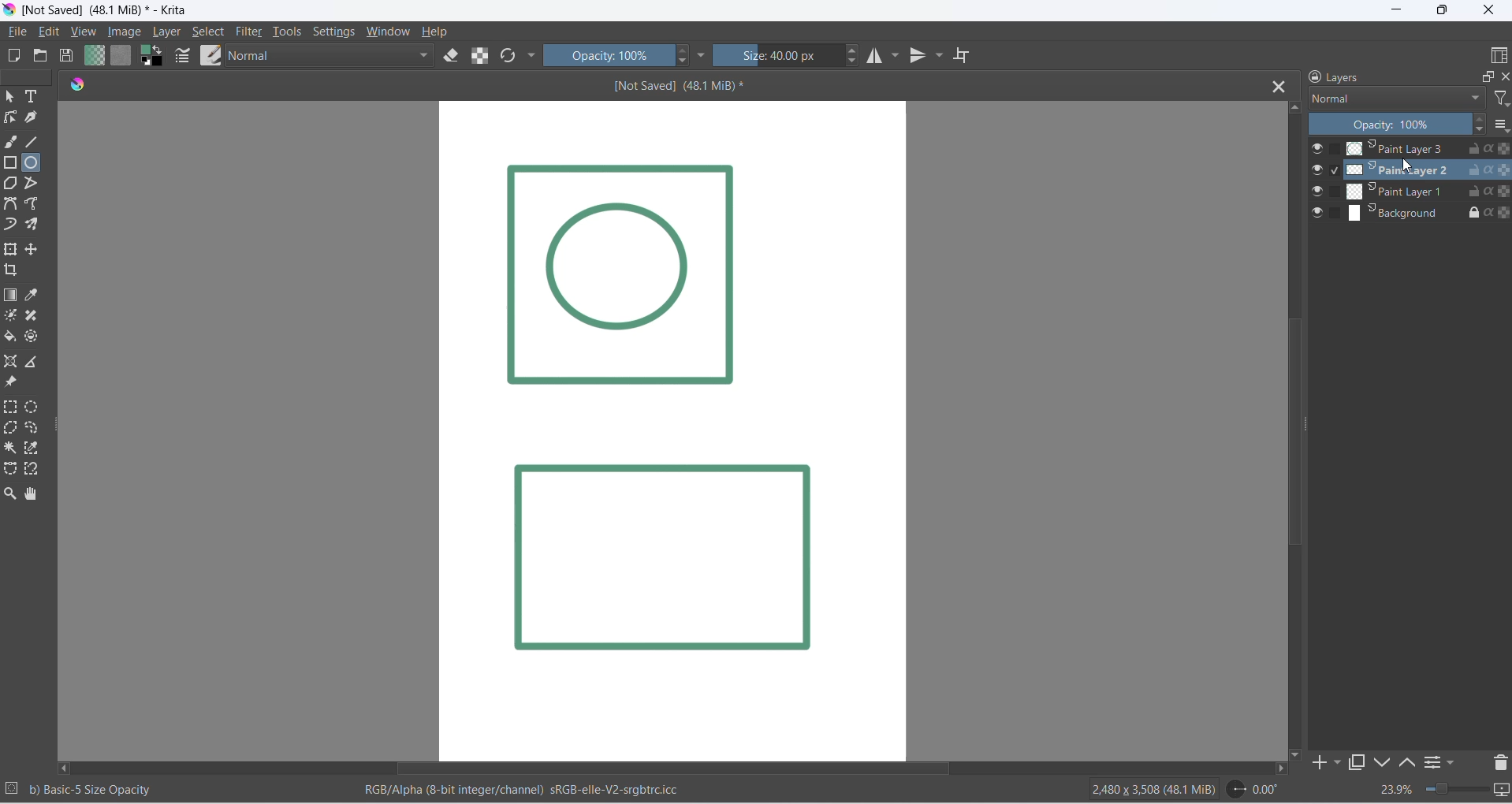  What do you see at coordinates (1395, 169) in the screenshot?
I see `paint layer 1` at bounding box center [1395, 169].